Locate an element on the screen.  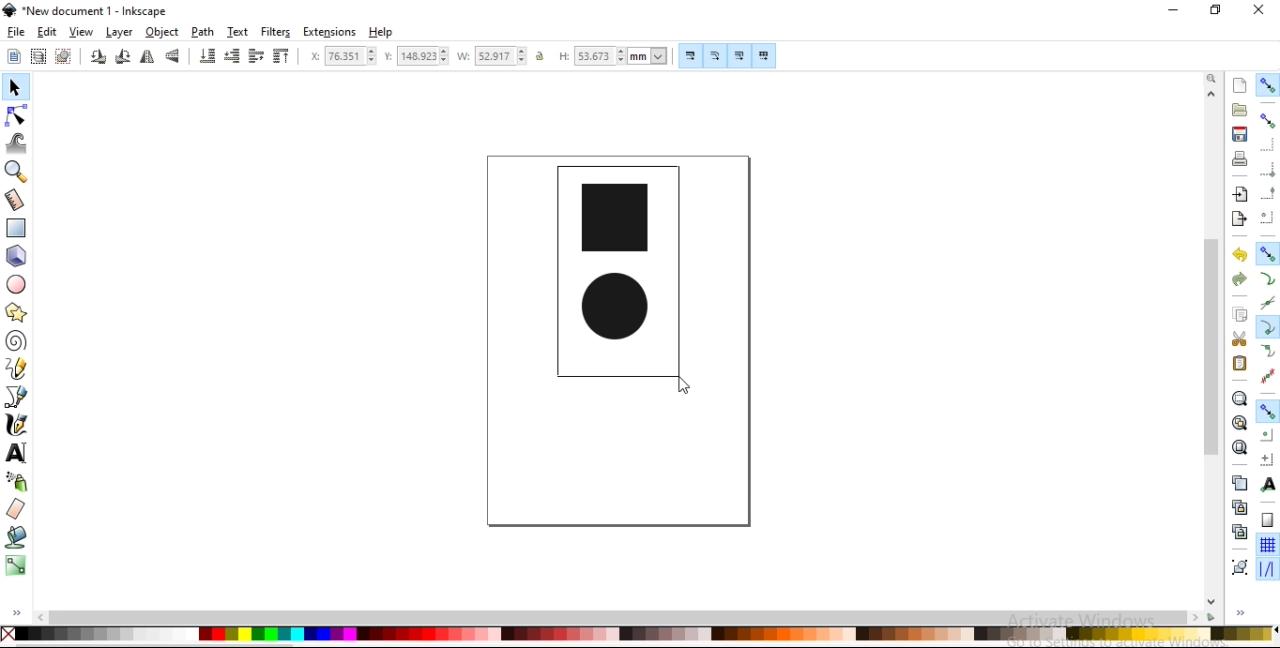
help is located at coordinates (381, 32).